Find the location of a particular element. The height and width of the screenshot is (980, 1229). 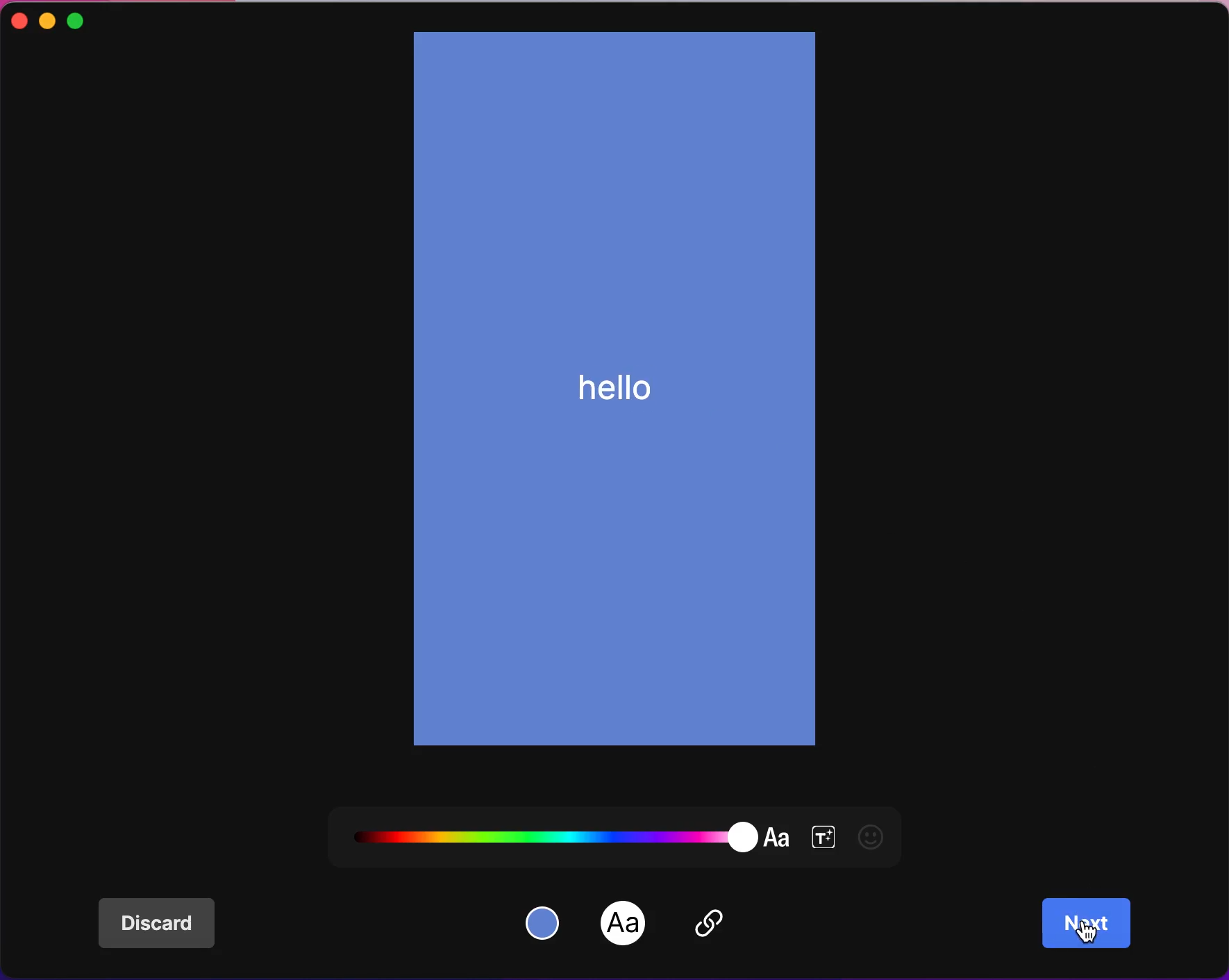

emoji is located at coordinates (877, 836).